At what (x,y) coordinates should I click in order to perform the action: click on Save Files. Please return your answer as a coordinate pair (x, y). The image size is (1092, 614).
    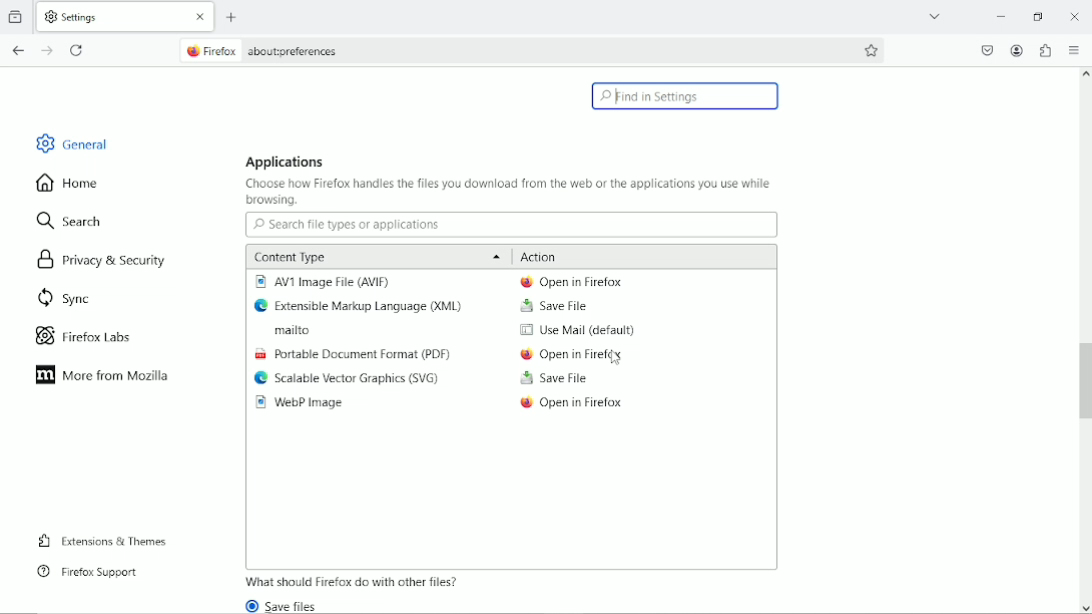
    Looking at the image, I should click on (288, 605).